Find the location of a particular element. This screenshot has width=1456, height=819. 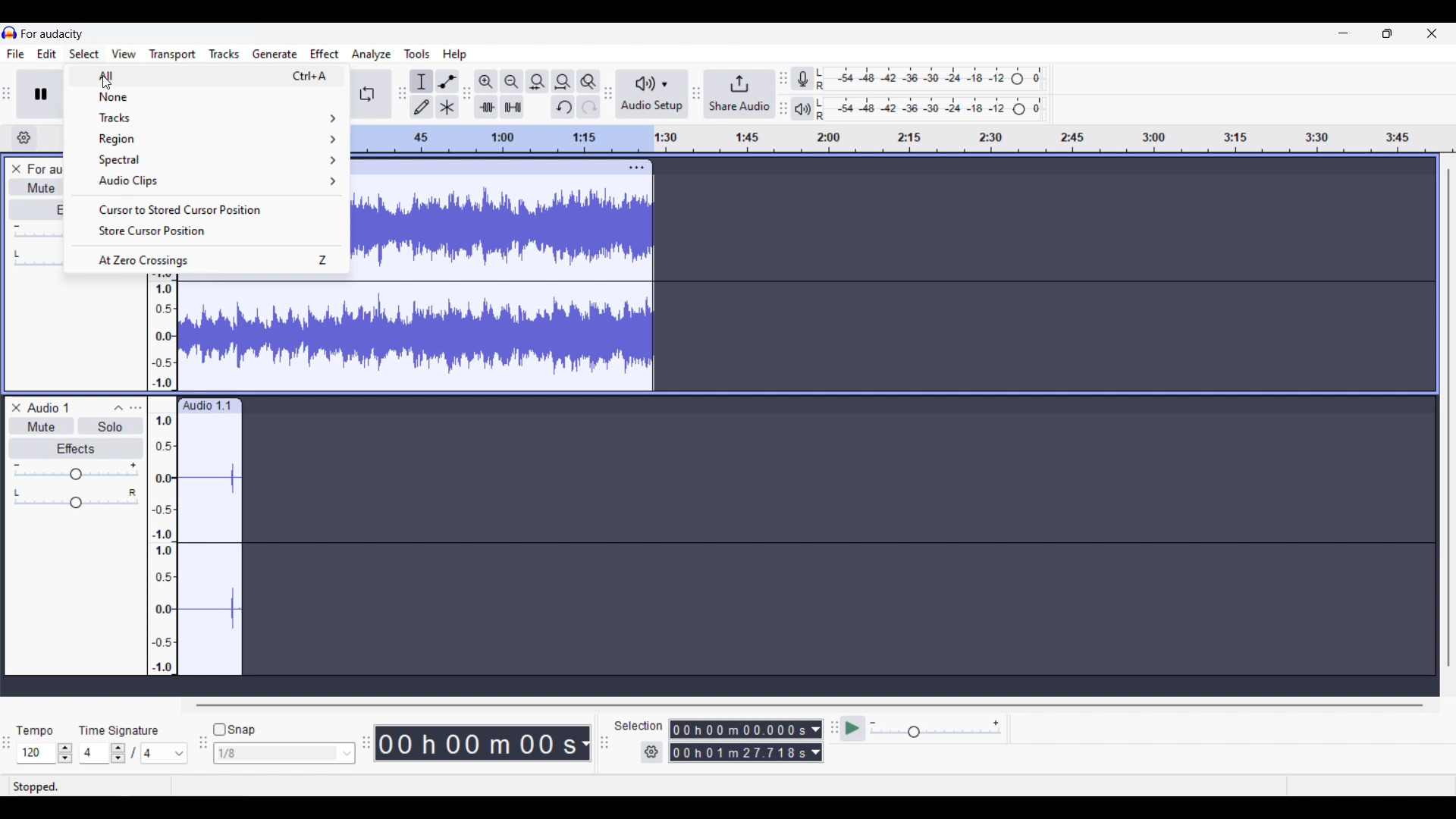

Pause is located at coordinates (40, 94).